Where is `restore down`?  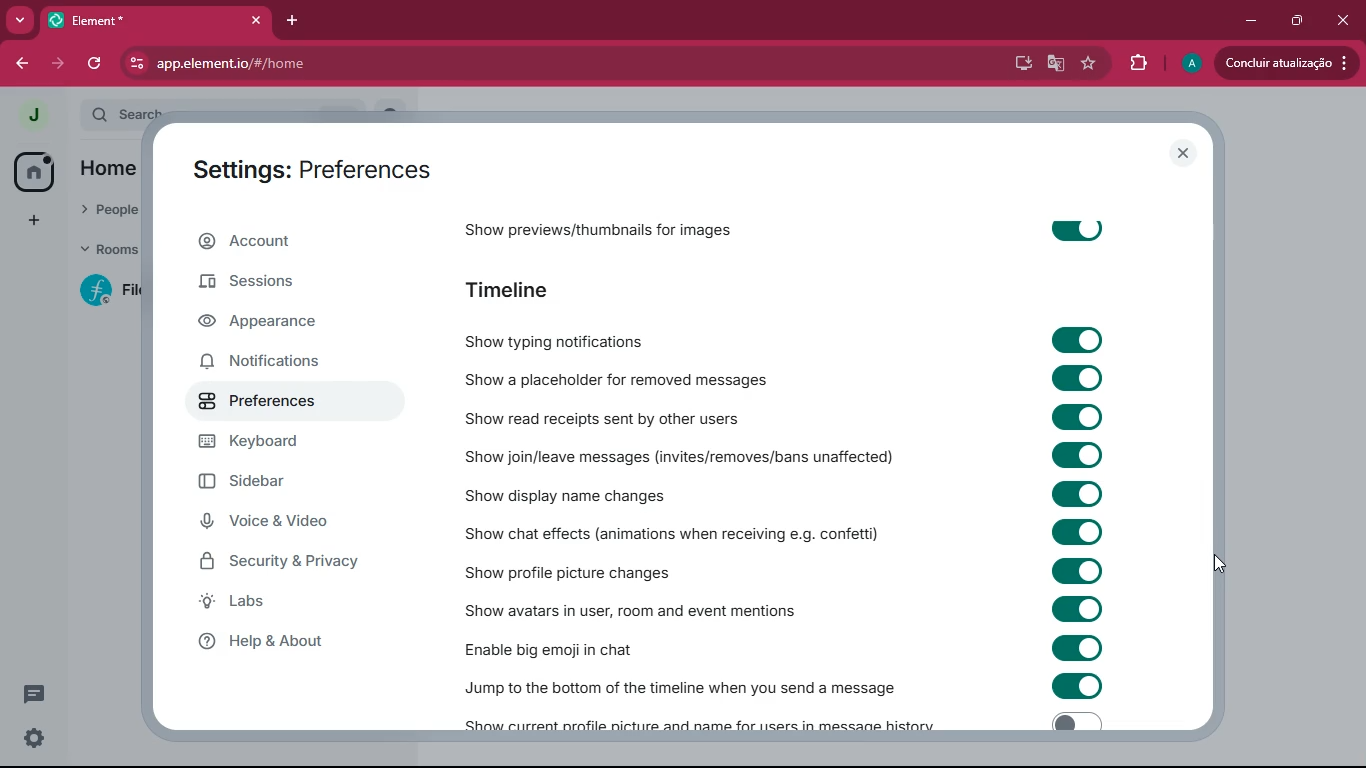 restore down is located at coordinates (1294, 21).